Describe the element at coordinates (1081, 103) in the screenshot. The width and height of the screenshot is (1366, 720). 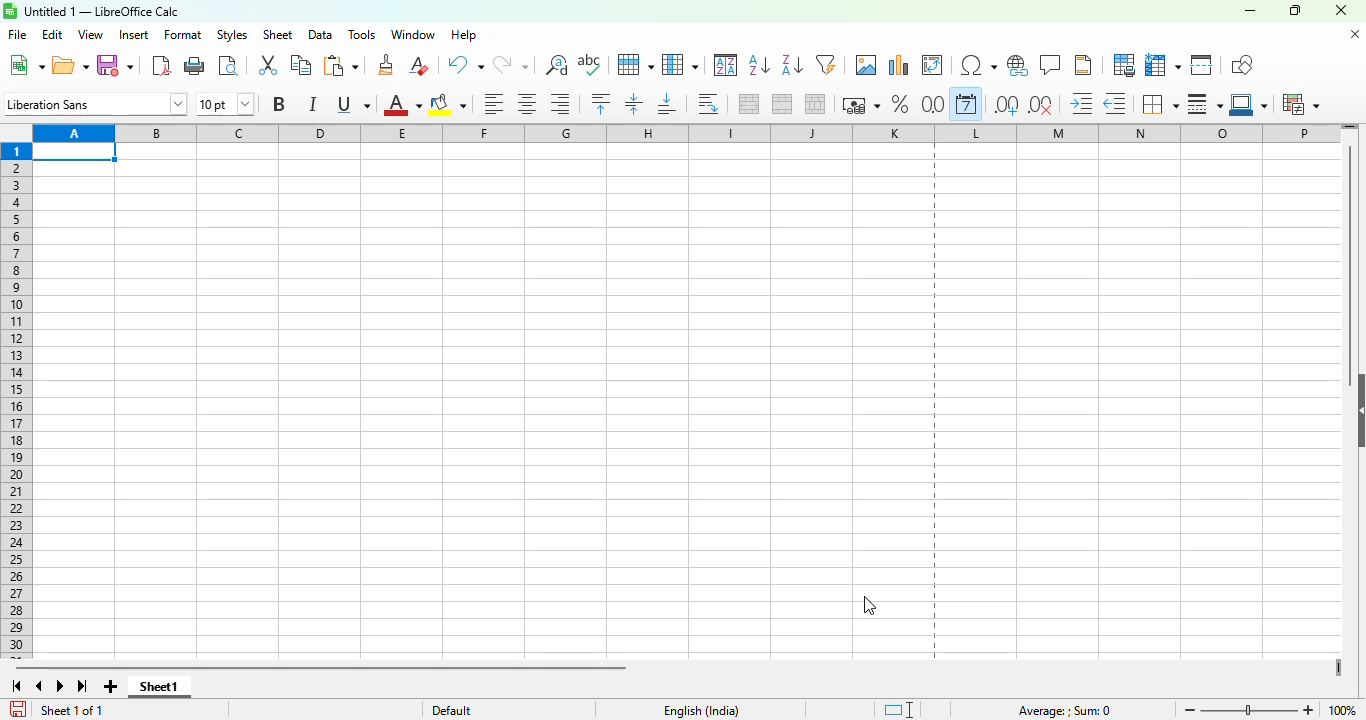
I see `increase indent` at that location.